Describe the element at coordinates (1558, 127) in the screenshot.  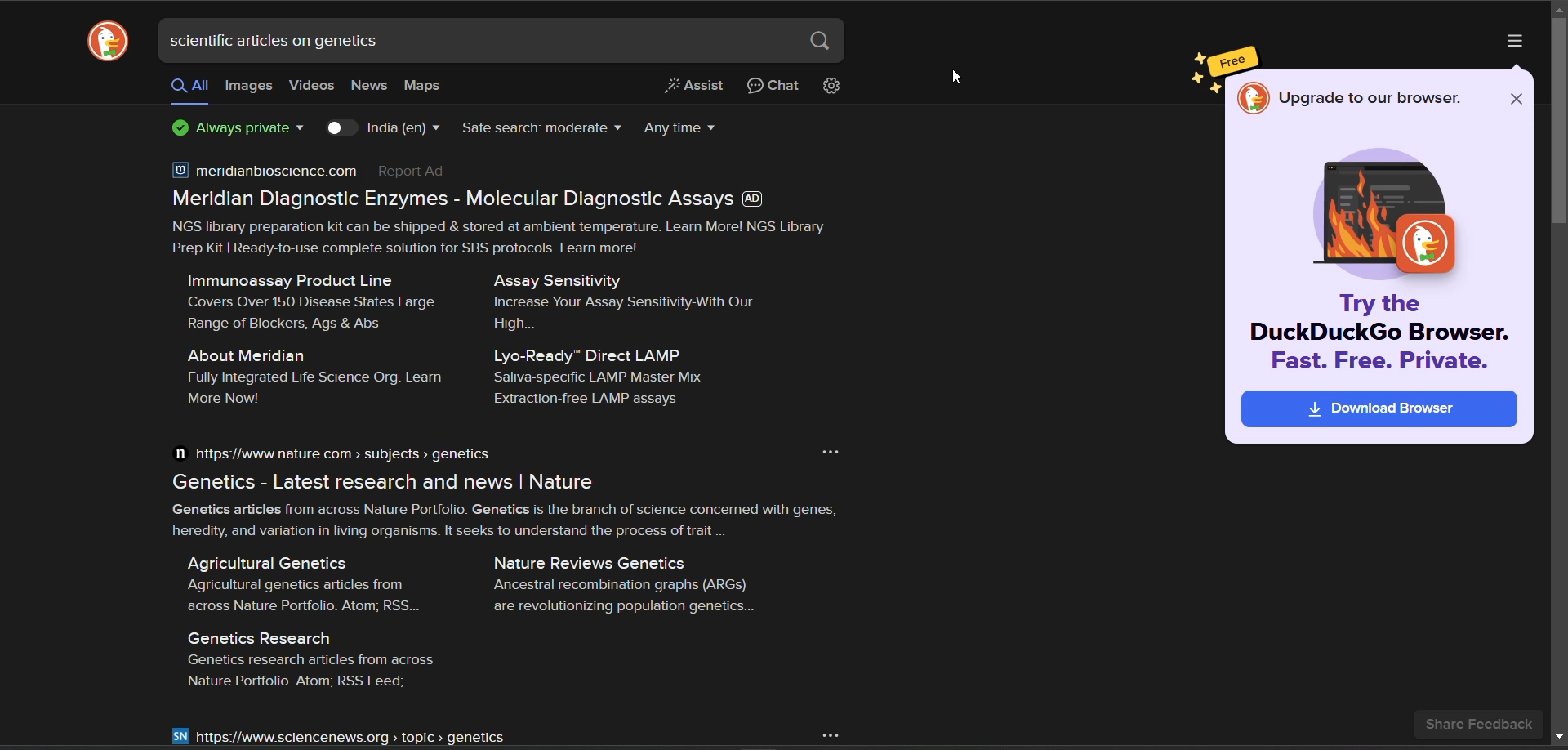
I see `vertical scroll bar` at that location.